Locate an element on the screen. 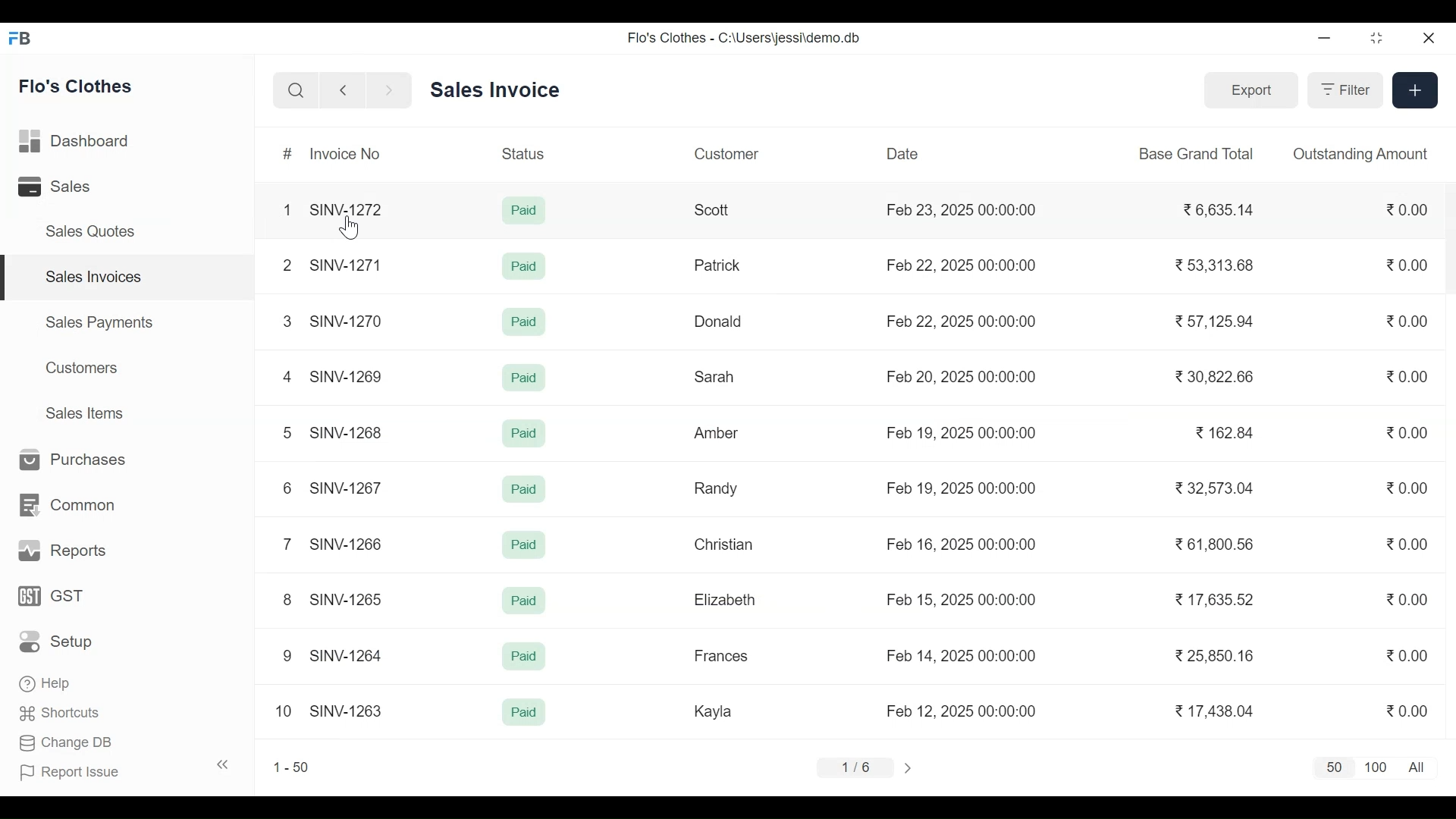 The width and height of the screenshot is (1456, 819). 4 is located at coordinates (288, 376).